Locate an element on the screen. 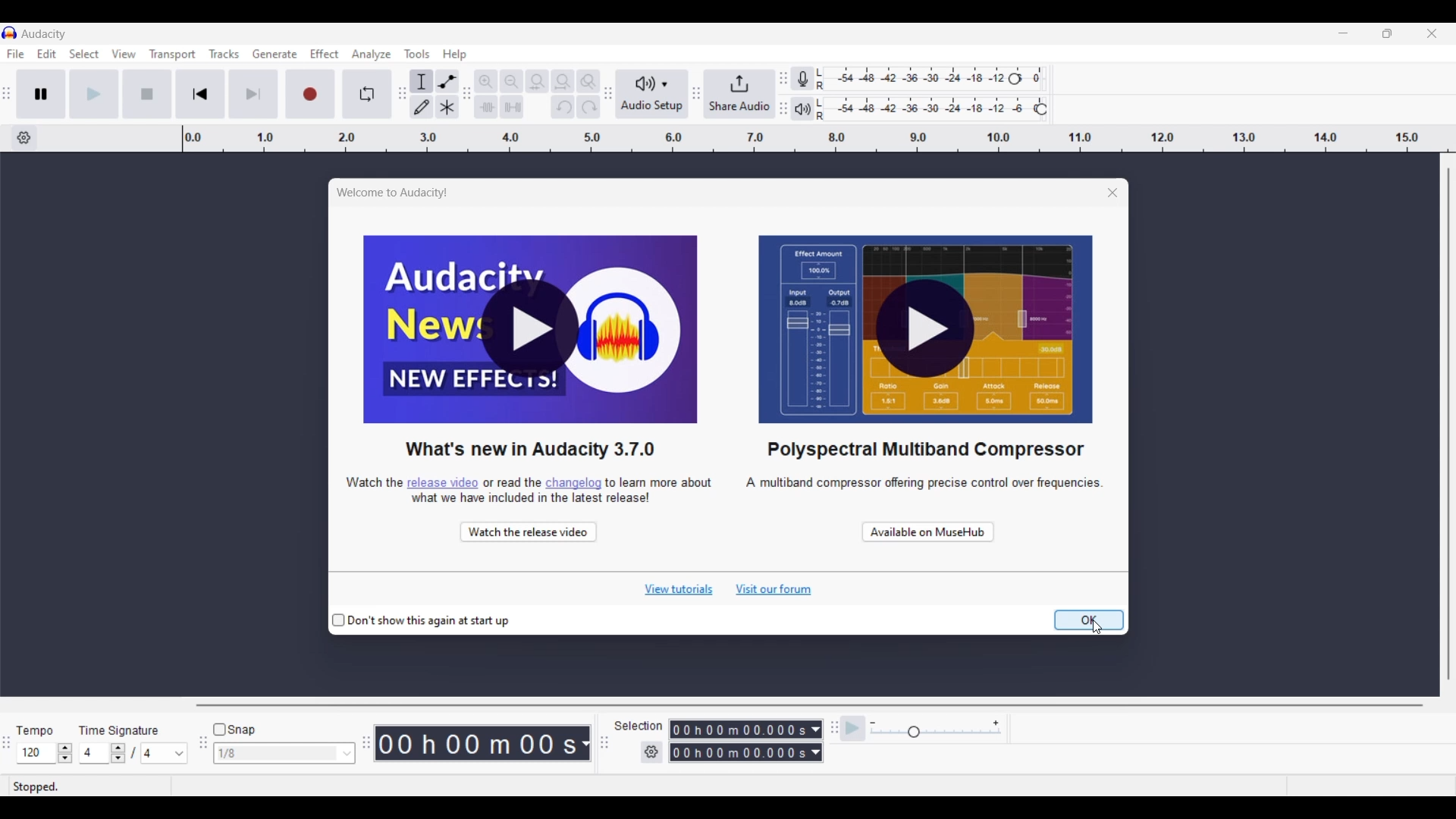  Tools menu is located at coordinates (418, 54).